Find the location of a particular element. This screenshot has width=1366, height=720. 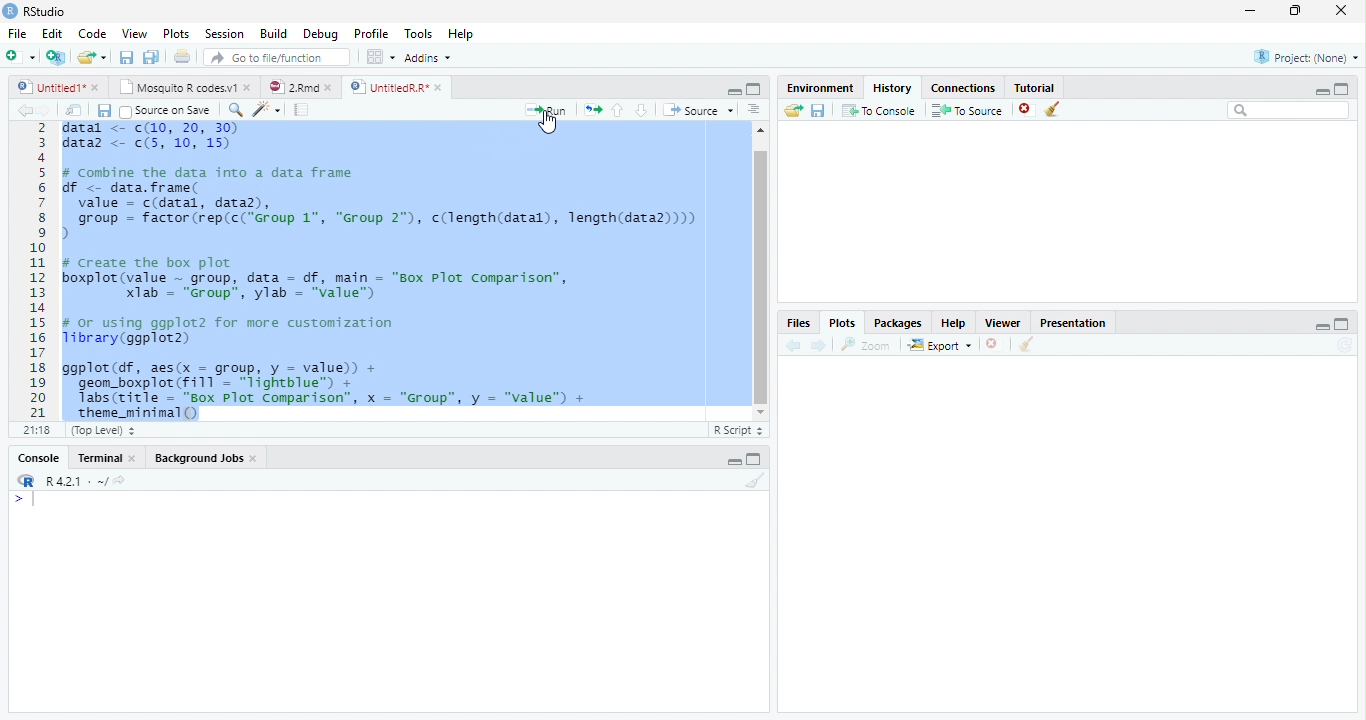

close is located at coordinates (132, 457).